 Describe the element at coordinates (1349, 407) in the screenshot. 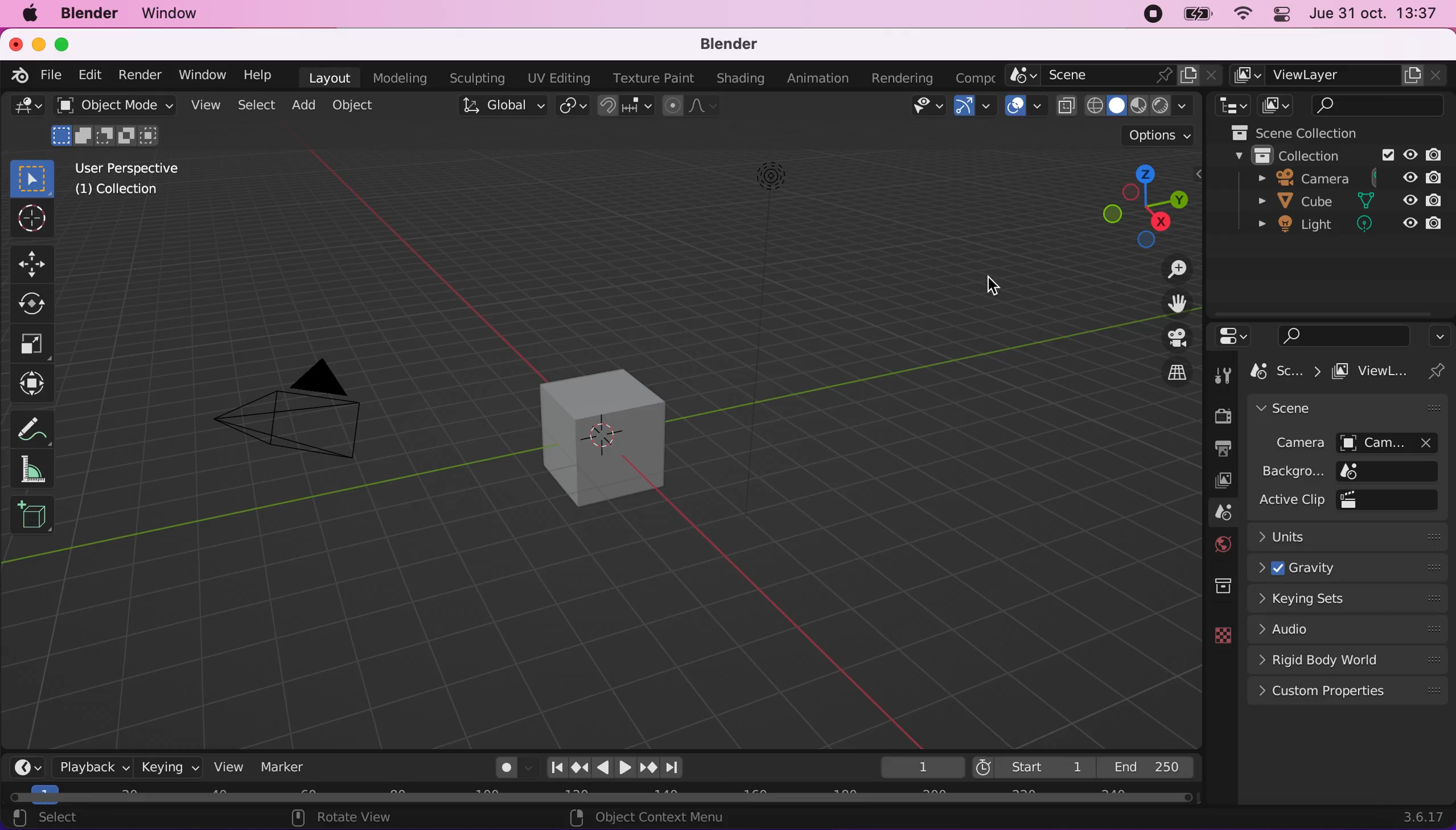

I see `scene` at that location.